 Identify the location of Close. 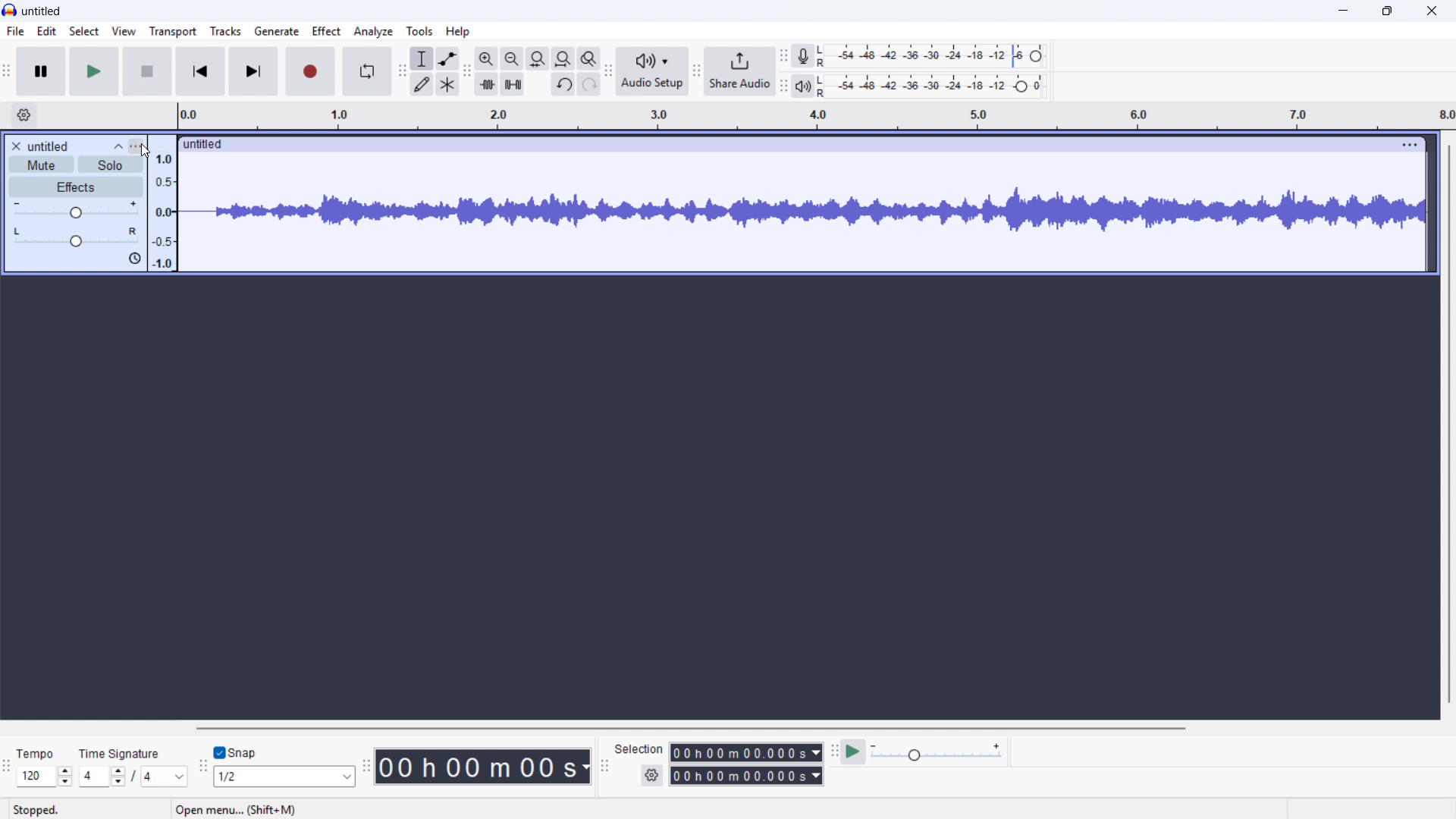
(1432, 12).